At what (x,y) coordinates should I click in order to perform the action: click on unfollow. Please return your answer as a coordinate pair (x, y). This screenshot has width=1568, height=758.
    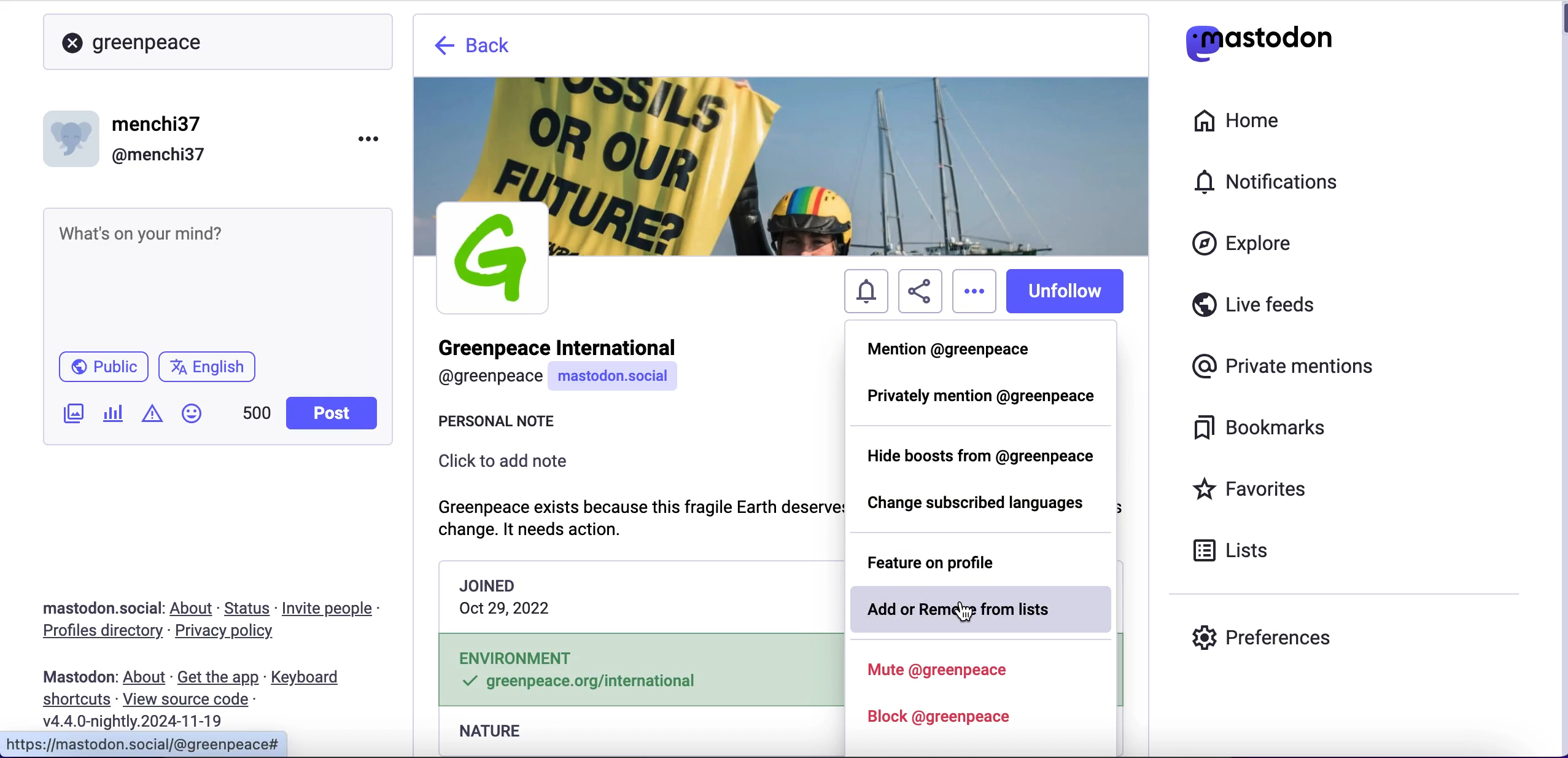
    Looking at the image, I should click on (1069, 293).